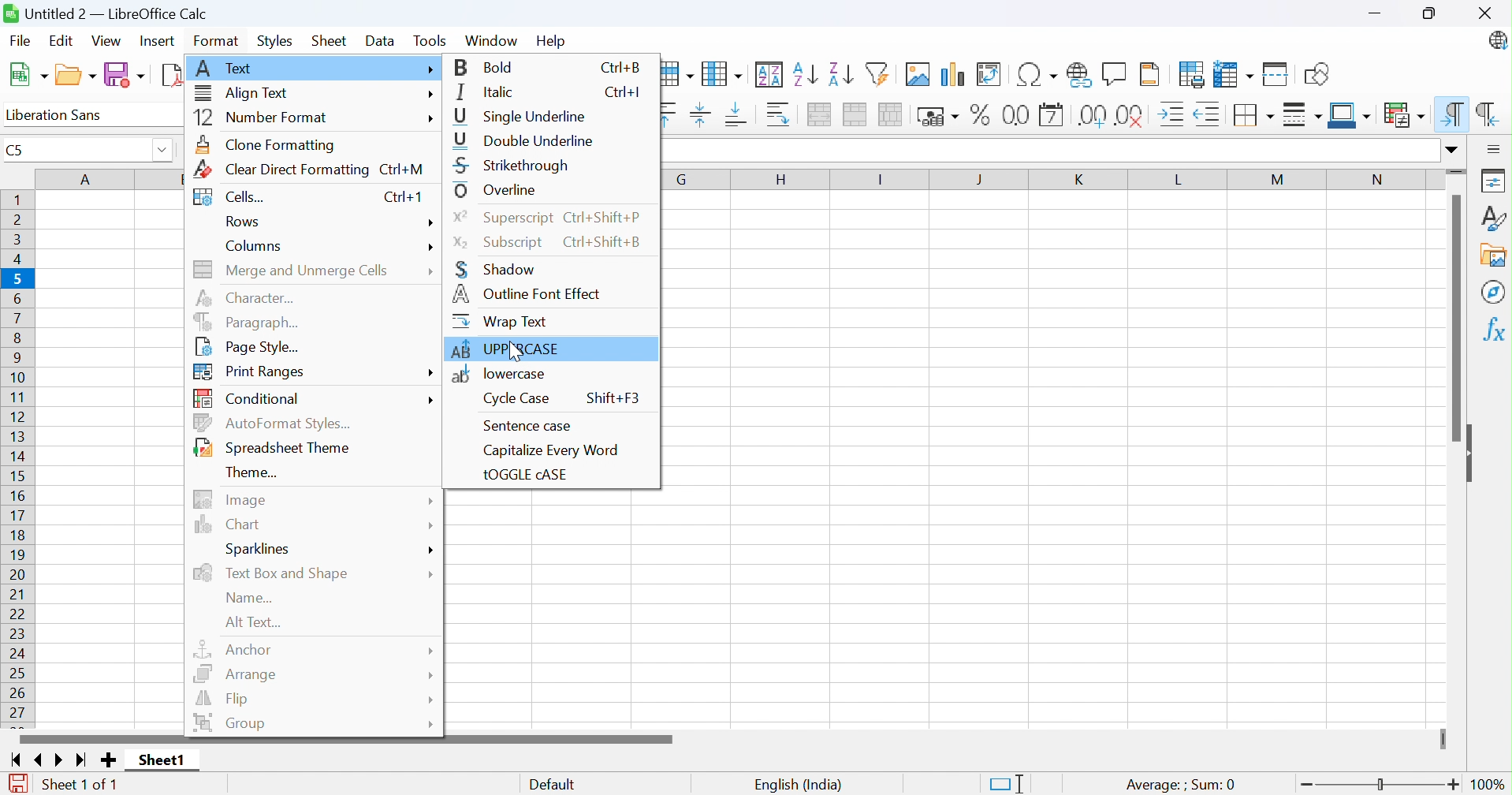 This screenshot has width=1512, height=795. Describe the element at coordinates (400, 173) in the screenshot. I see `Ctrl+M` at that location.